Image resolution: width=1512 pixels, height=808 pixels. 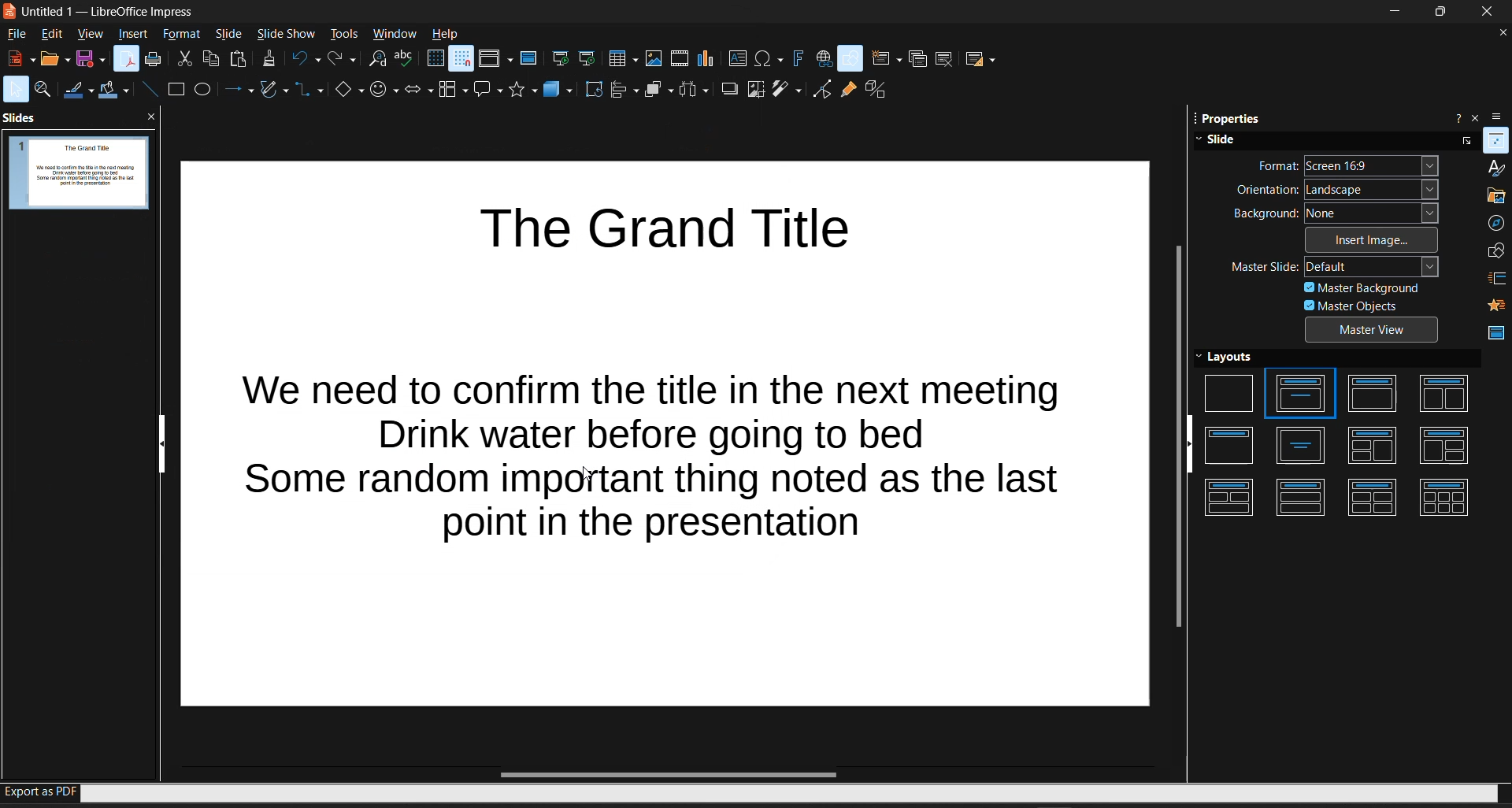 What do you see at coordinates (150, 119) in the screenshot?
I see `close pane` at bounding box center [150, 119].